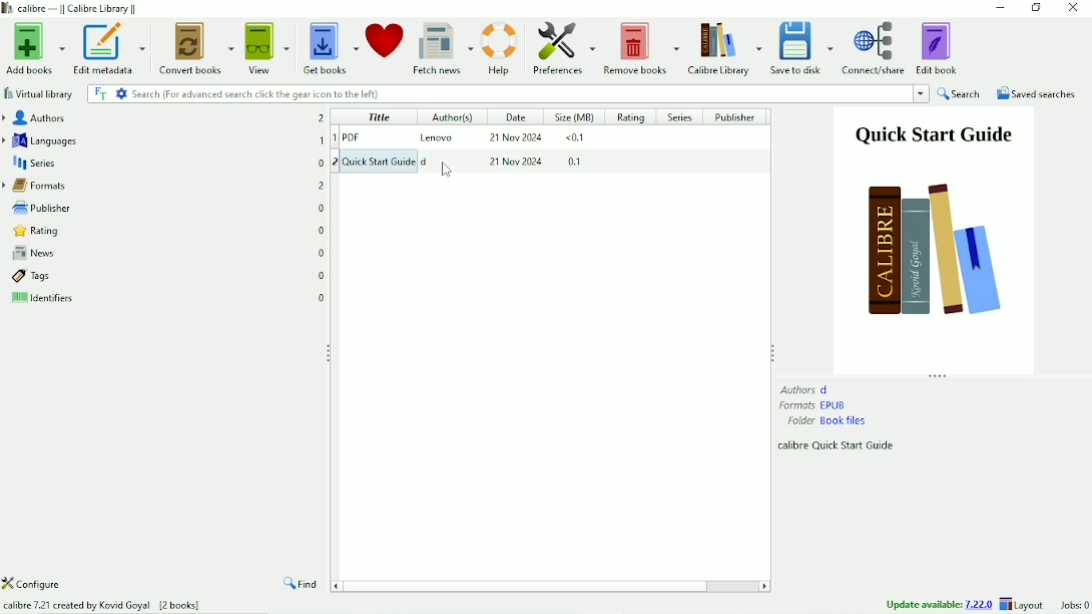 Image resolution: width=1092 pixels, height=614 pixels. I want to click on Formats, so click(814, 405).